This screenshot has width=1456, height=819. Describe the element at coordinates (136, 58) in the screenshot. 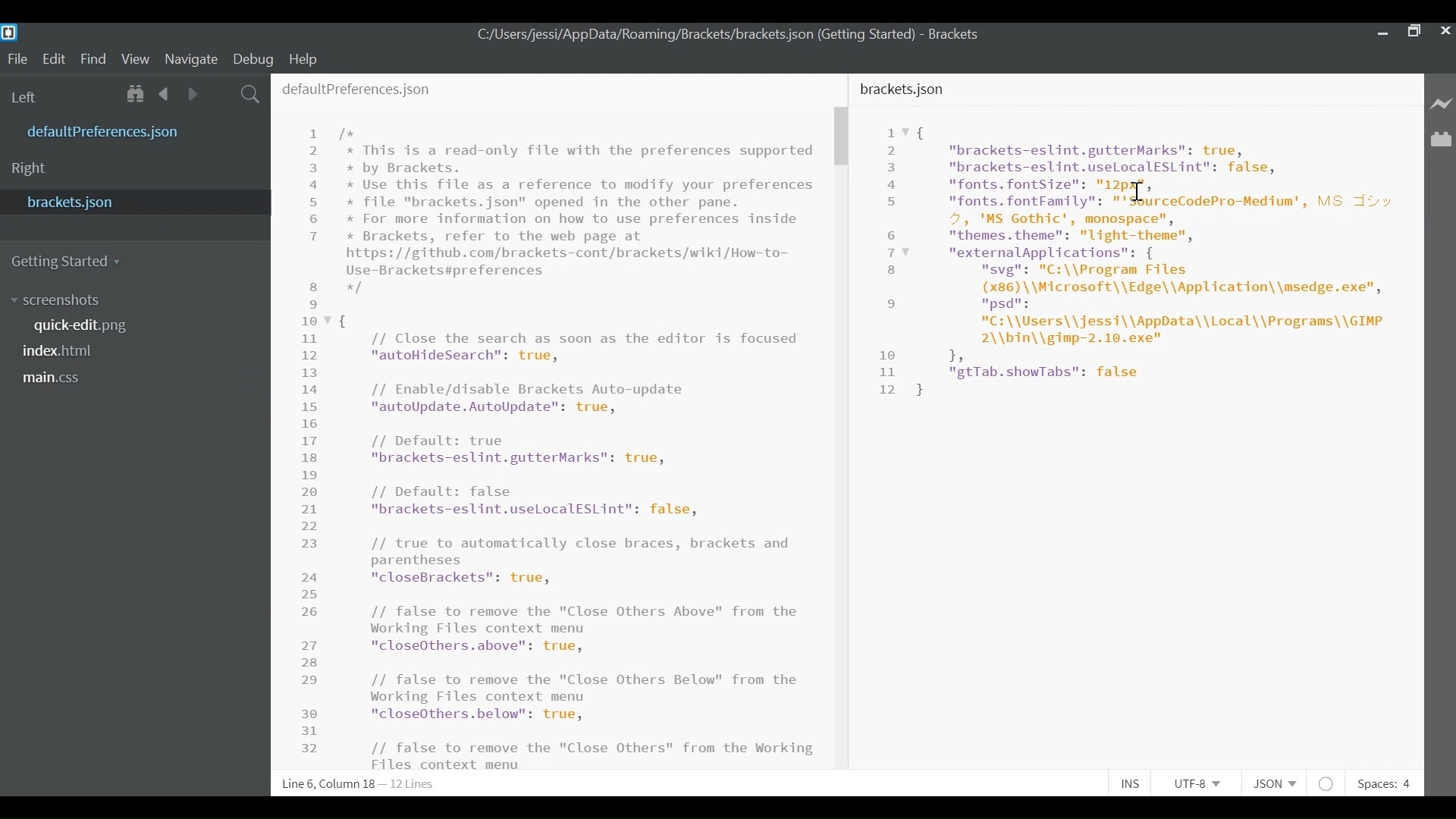

I see `View` at that location.